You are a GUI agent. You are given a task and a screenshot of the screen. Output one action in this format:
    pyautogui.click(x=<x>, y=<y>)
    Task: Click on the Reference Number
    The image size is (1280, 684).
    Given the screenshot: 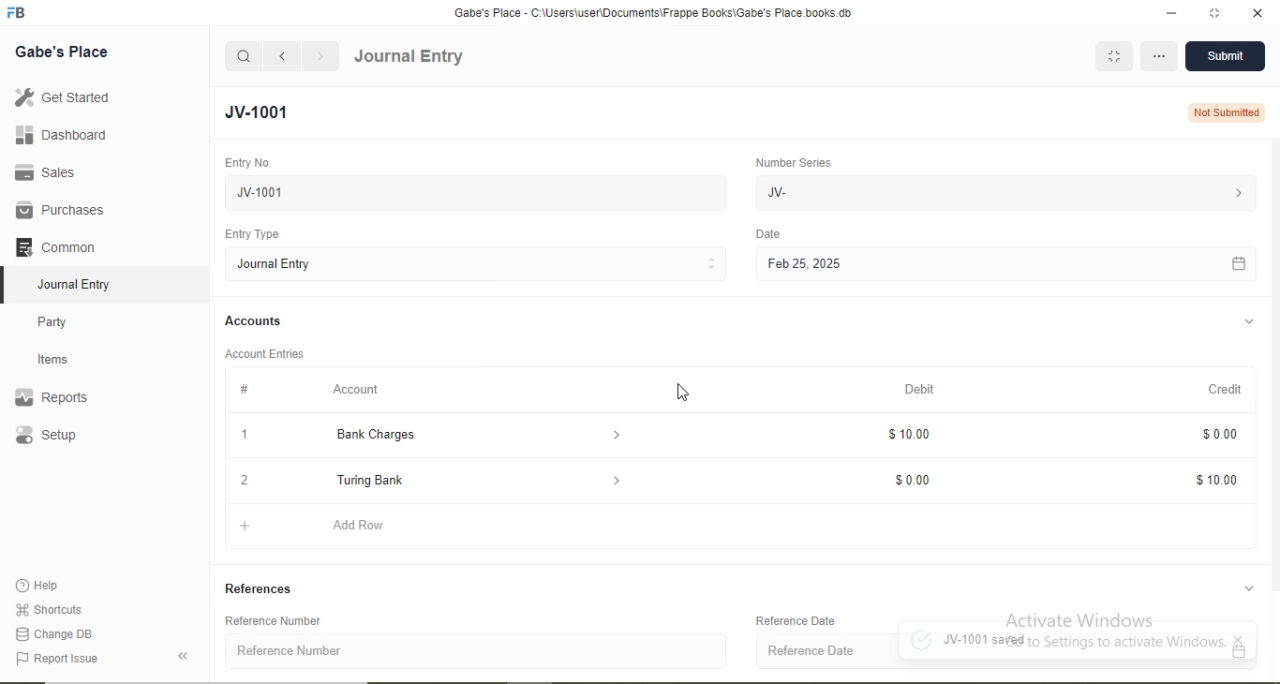 What is the action you would take?
    pyautogui.click(x=478, y=651)
    